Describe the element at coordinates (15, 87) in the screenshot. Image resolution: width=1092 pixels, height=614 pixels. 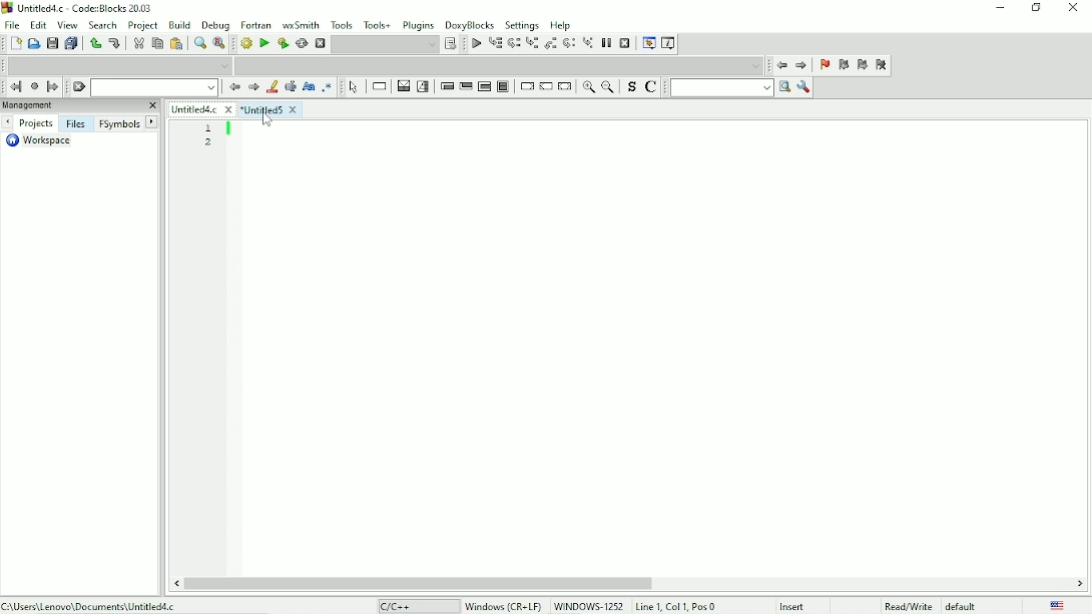
I see `Jump back` at that location.